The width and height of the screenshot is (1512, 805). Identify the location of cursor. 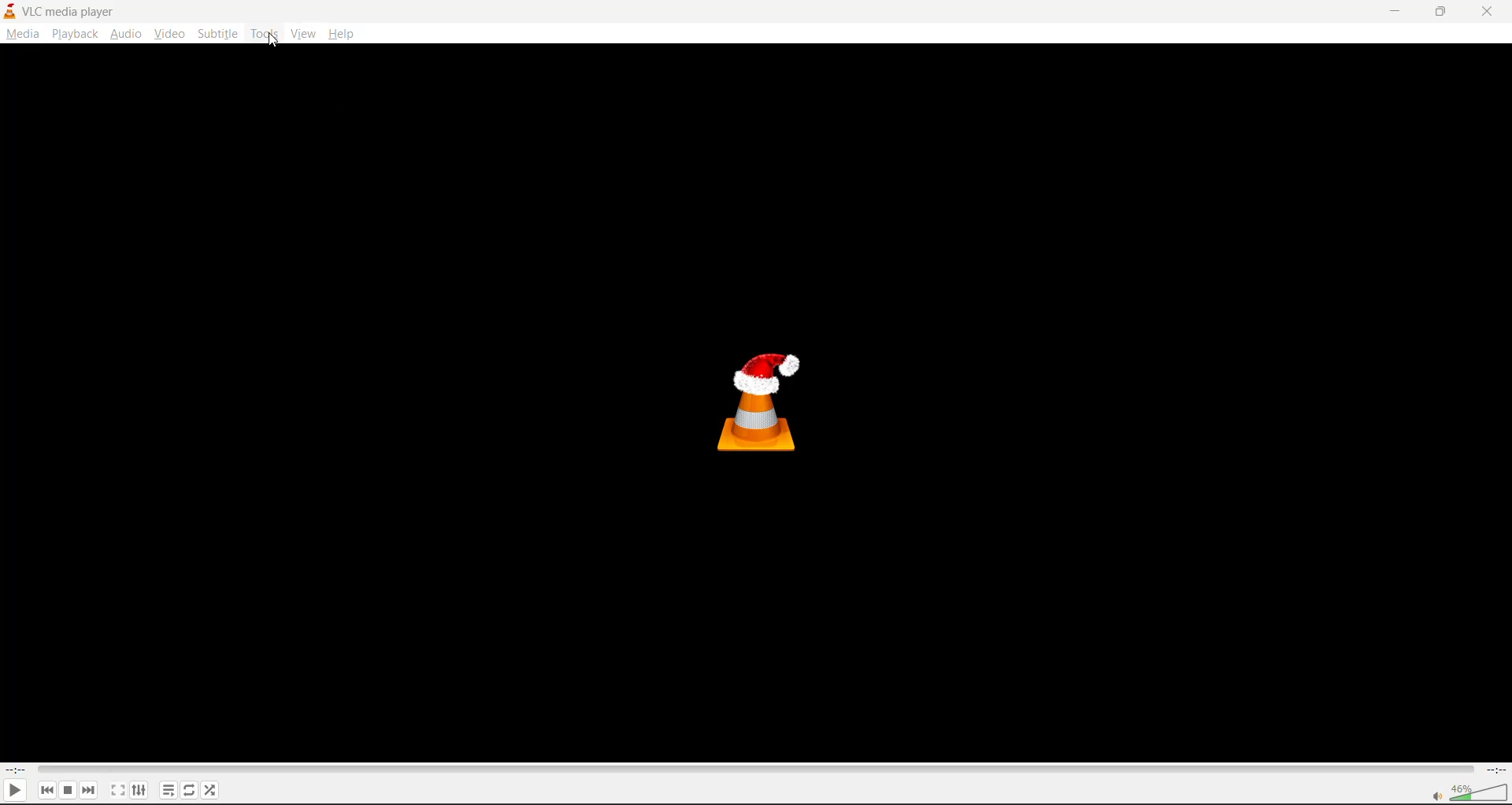
(274, 43).